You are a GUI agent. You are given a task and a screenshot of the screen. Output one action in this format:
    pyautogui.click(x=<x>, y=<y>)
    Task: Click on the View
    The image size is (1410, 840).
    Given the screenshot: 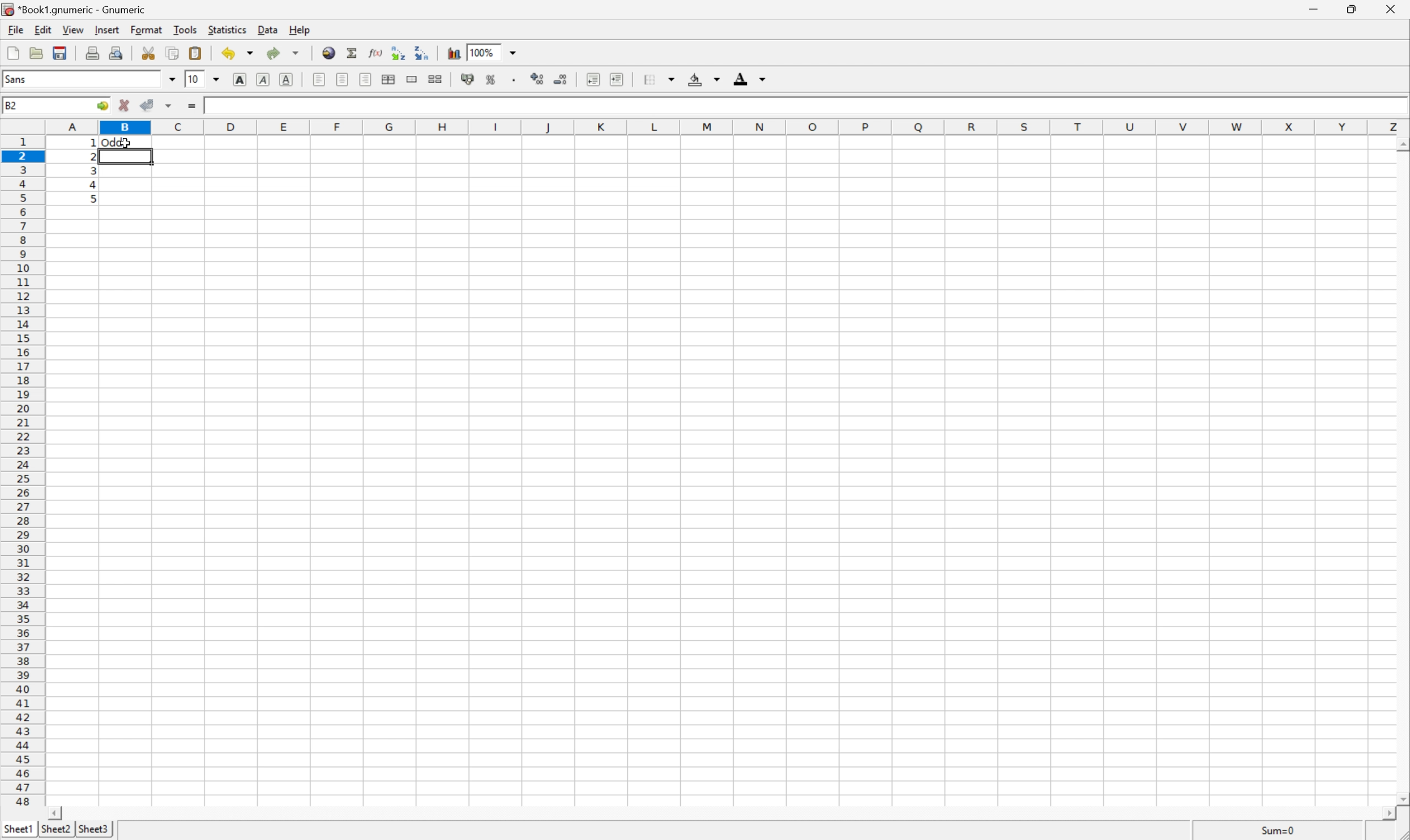 What is the action you would take?
    pyautogui.click(x=73, y=29)
    